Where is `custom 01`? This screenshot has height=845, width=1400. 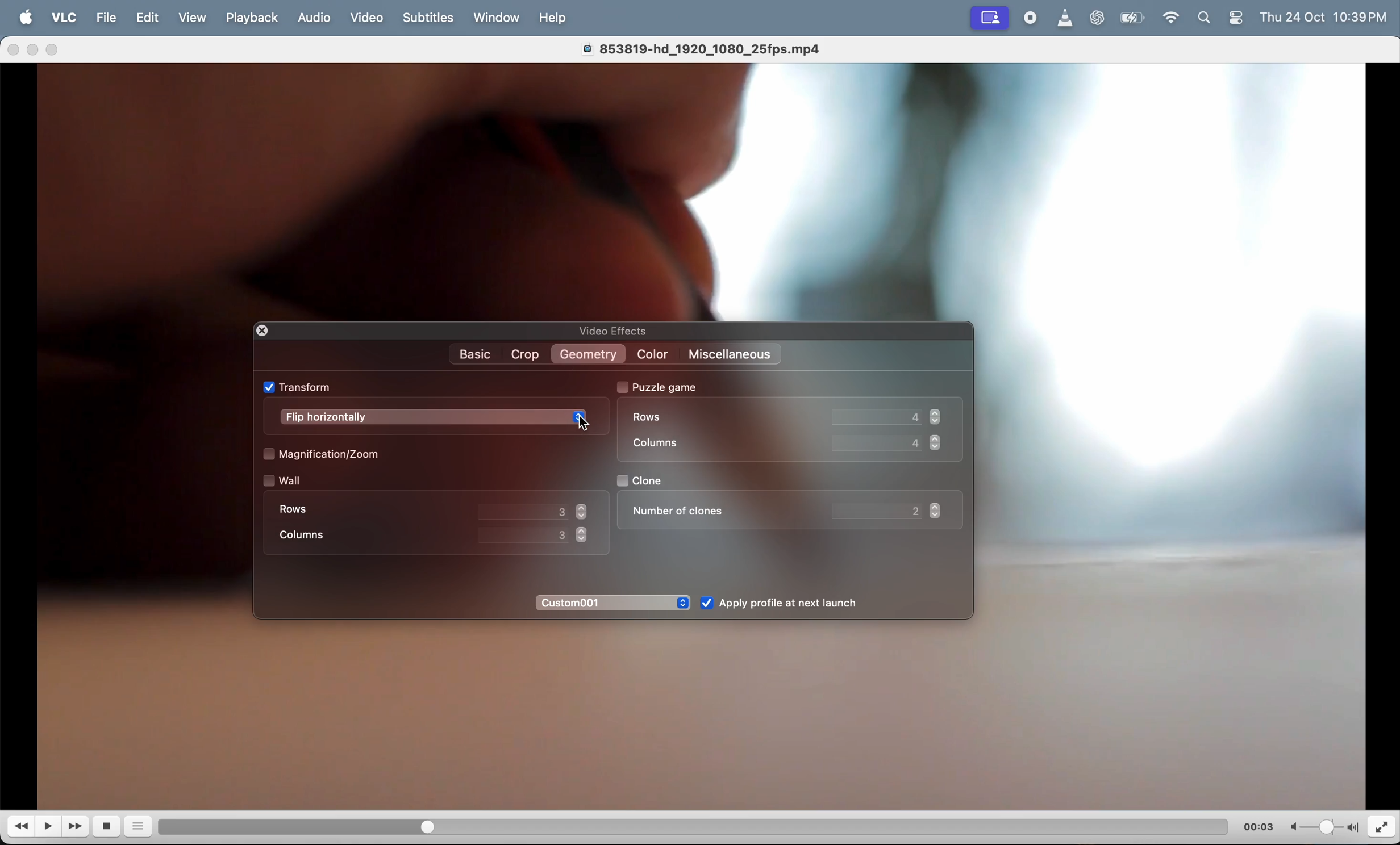 custom 01 is located at coordinates (615, 603).